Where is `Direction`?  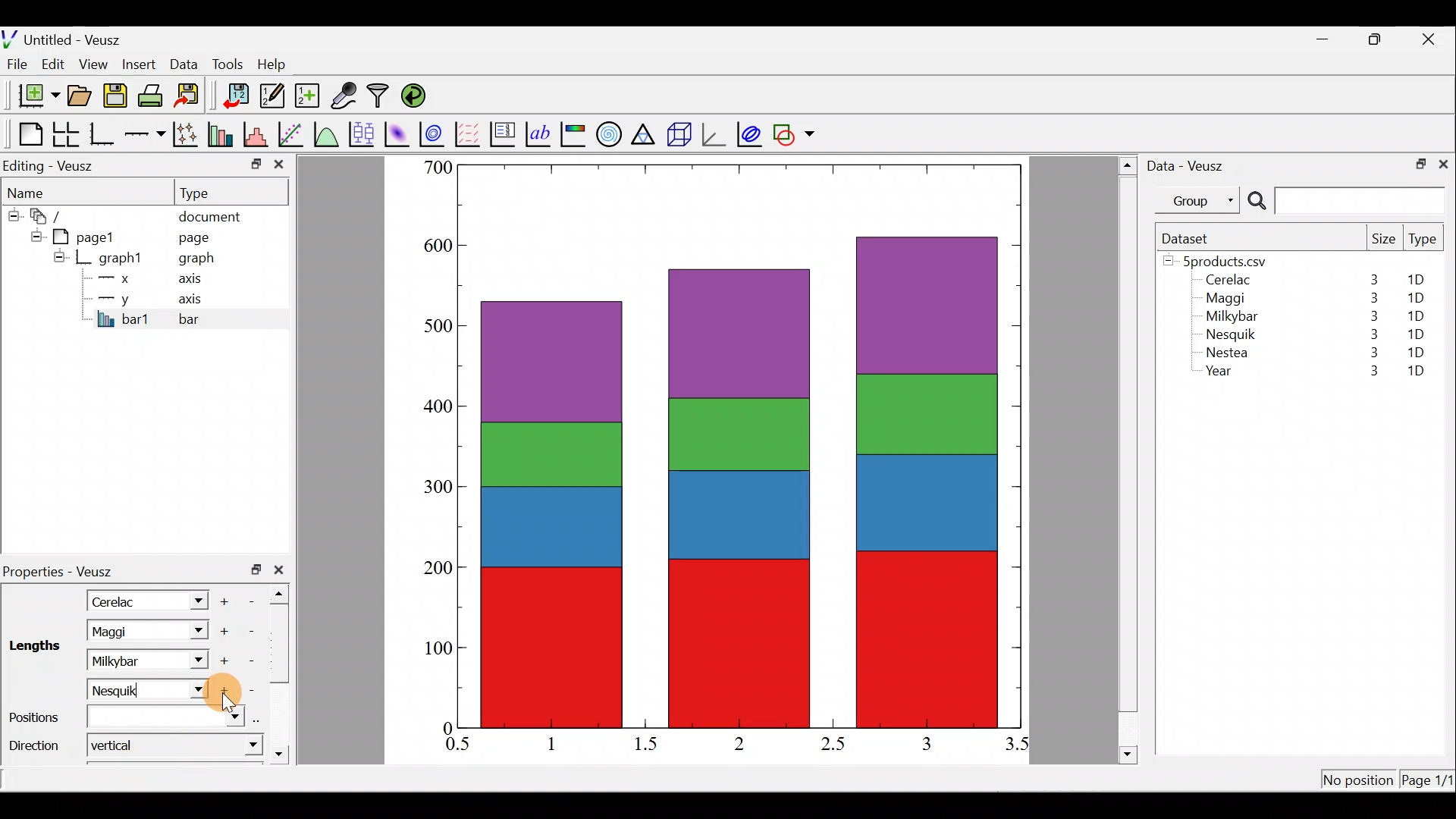
Direction is located at coordinates (38, 746).